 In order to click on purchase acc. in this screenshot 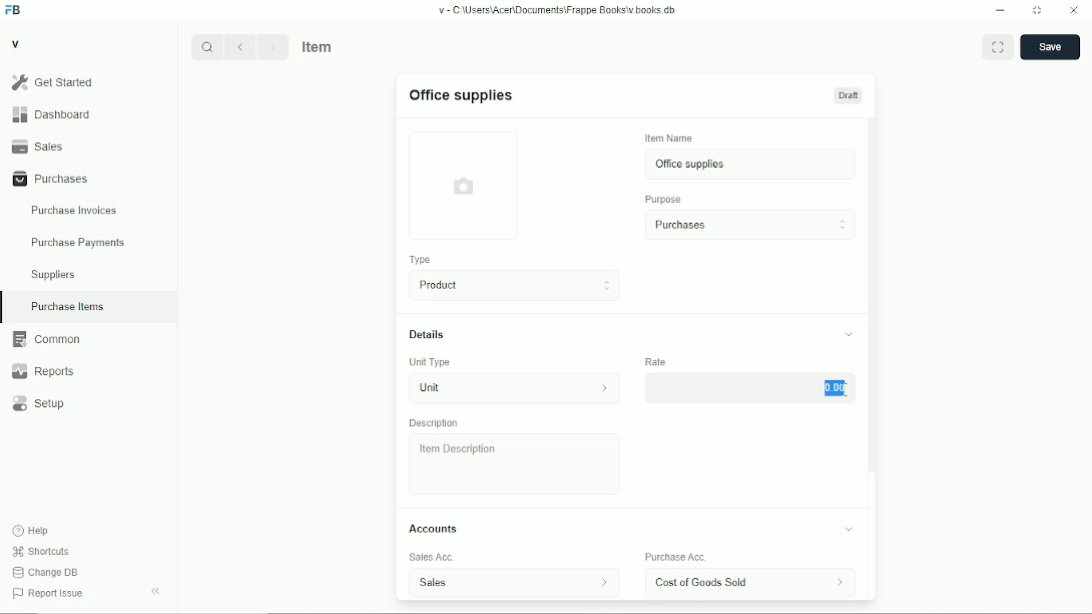, I will do `click(676, 557)`.